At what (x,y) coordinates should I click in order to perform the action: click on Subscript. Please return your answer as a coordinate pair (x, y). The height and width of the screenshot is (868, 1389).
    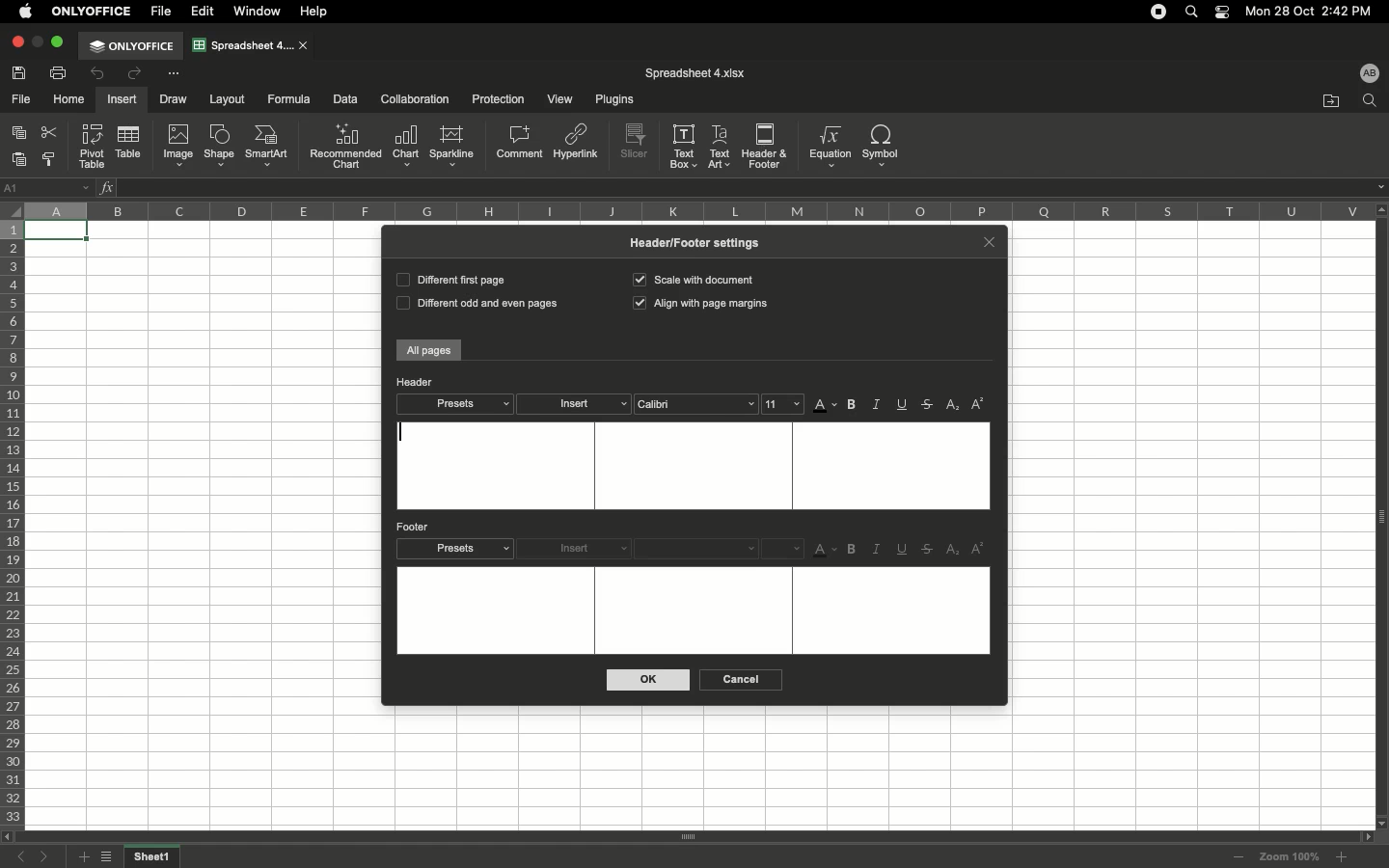
    Looking at the image, I should click on (954, 550).